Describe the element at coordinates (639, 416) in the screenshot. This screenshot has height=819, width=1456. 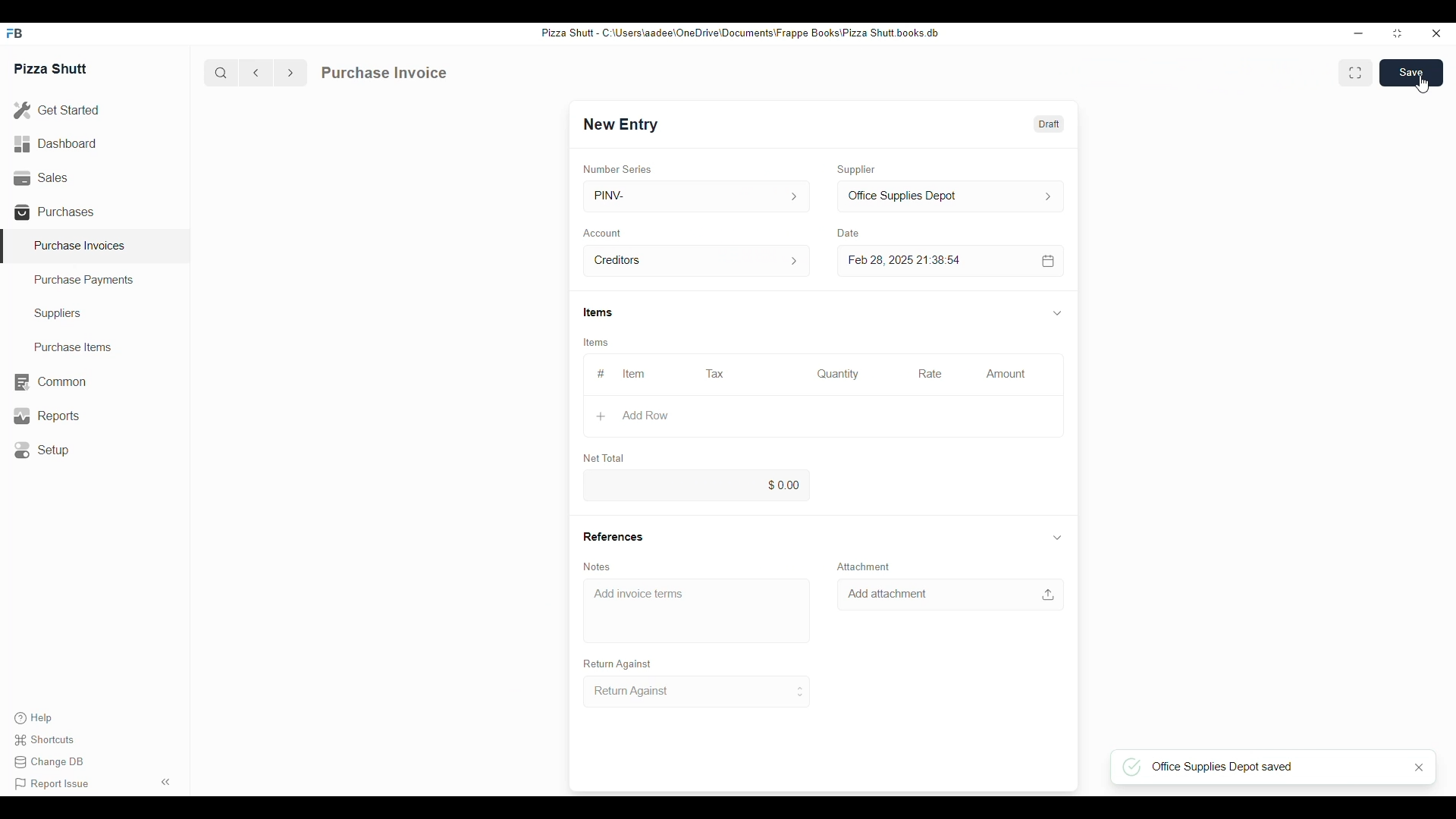
I see `Add Row` at that location.